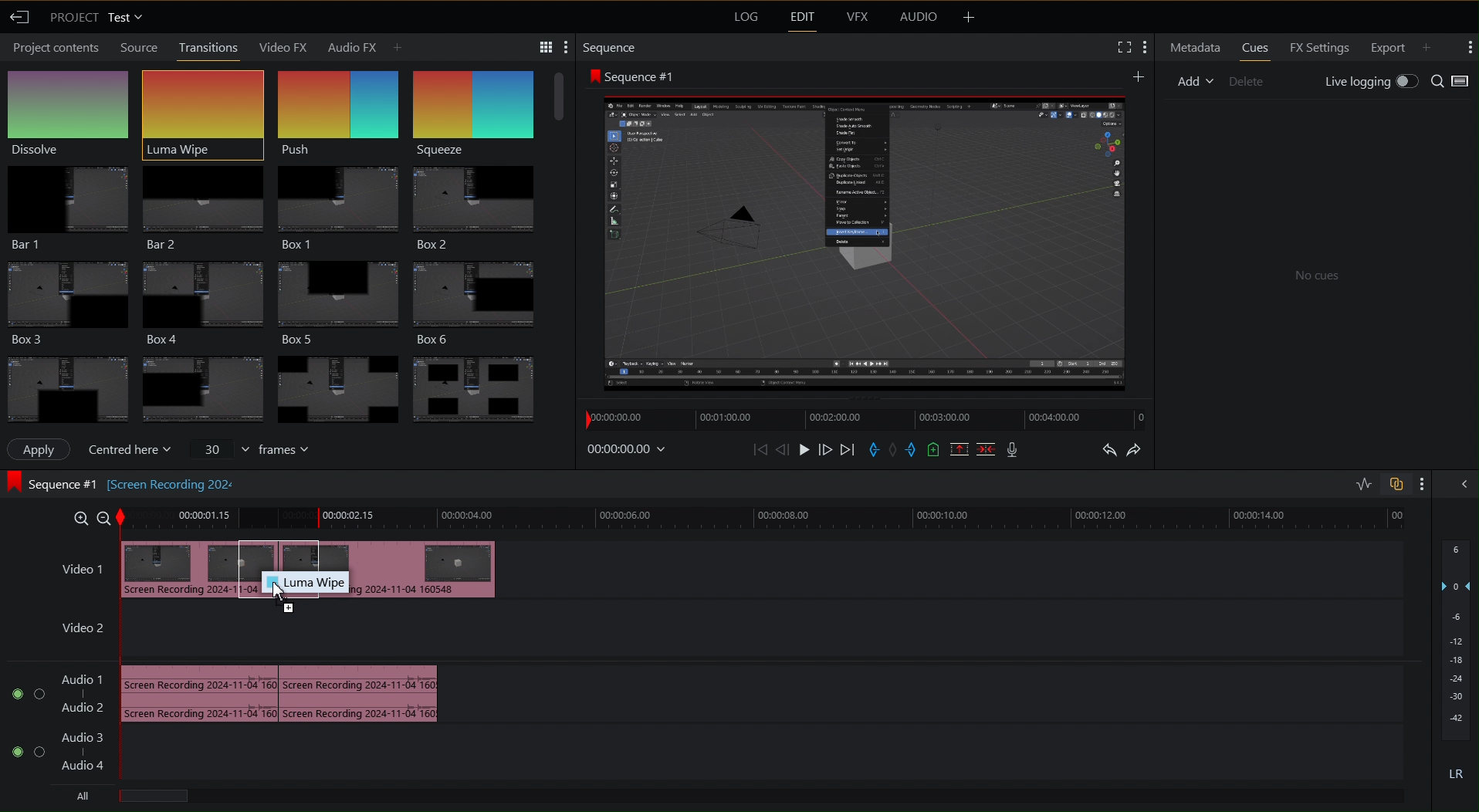 The width and height of the screenshot is (1479, 812). What do you see at coordinates (744, 18) in the screenshot?
I see `Log` at bounding box center [744, 18].